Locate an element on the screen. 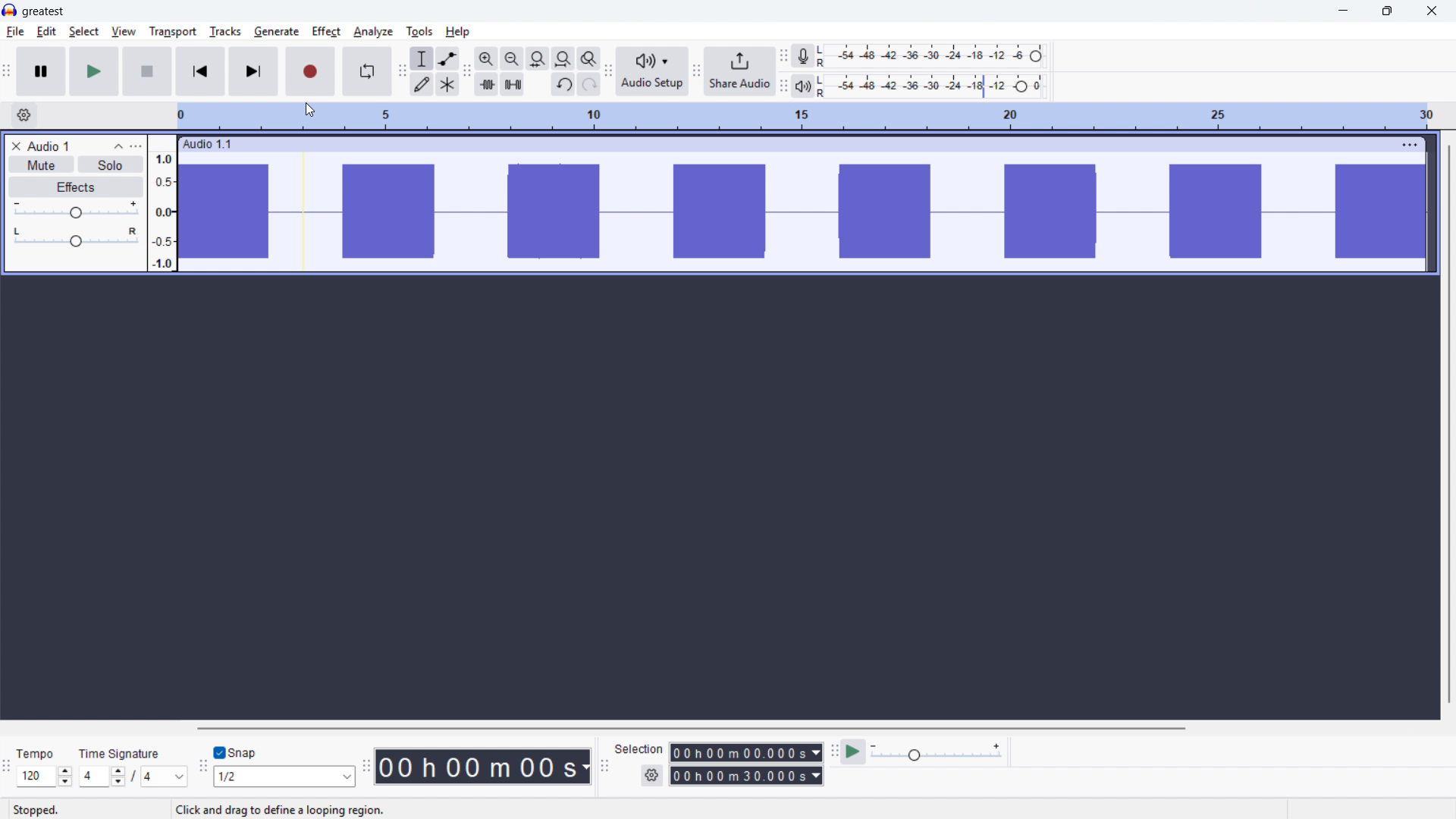  gain  is located at coordinates (76, 209).